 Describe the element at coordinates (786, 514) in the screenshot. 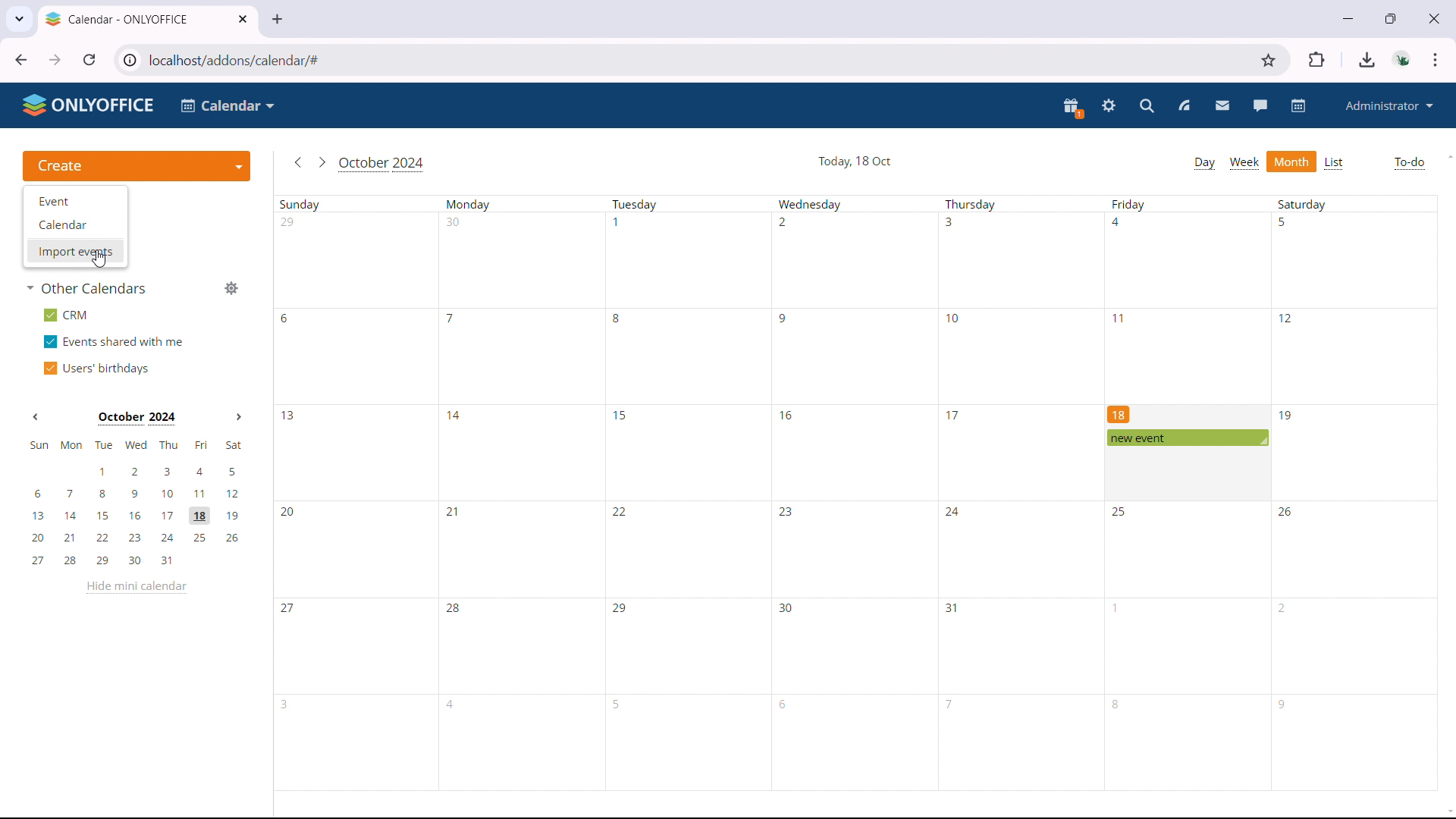

I see `23` at that location.